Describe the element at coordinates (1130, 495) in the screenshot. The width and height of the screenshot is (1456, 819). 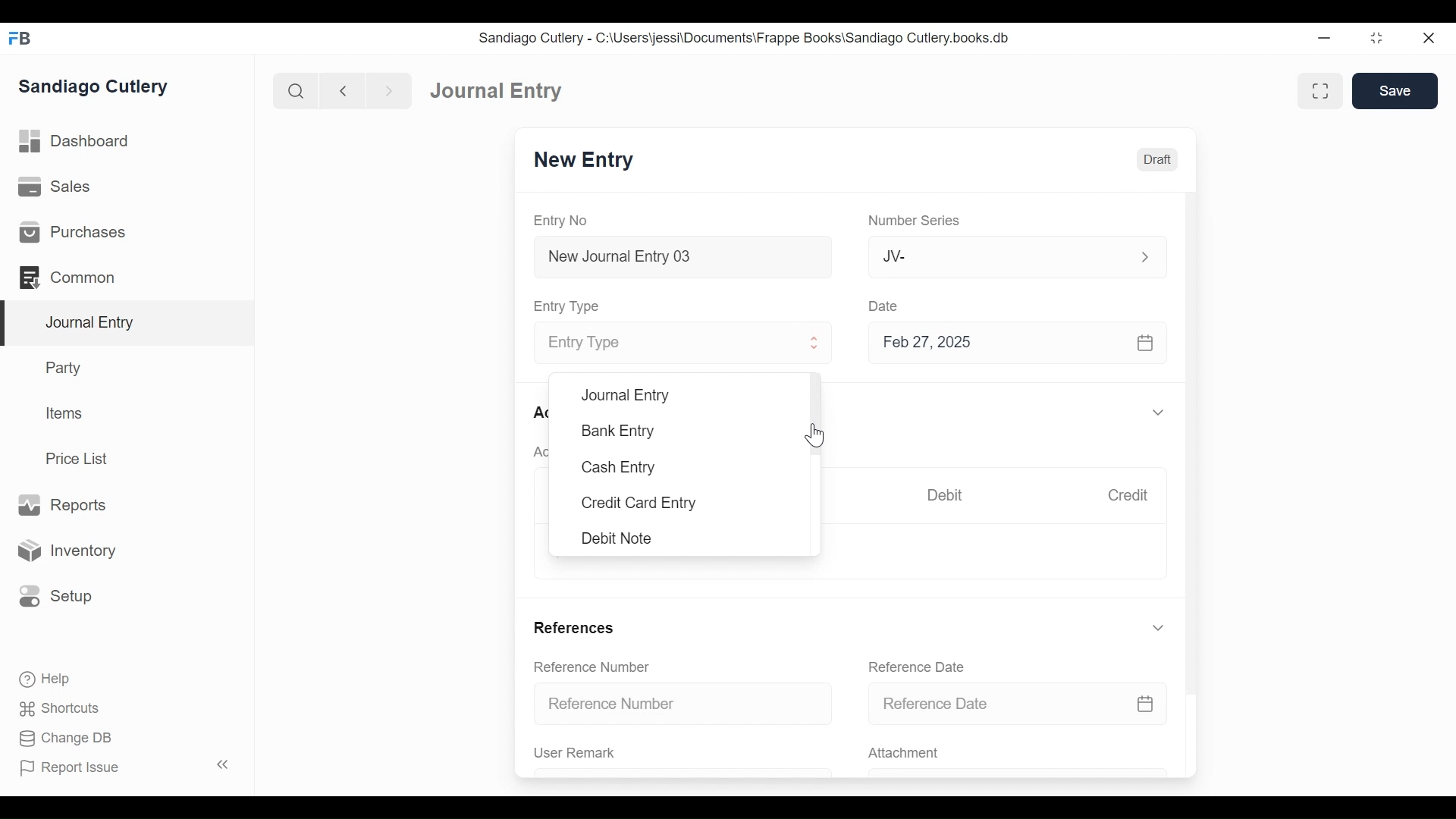
I see `Credit` at that location.